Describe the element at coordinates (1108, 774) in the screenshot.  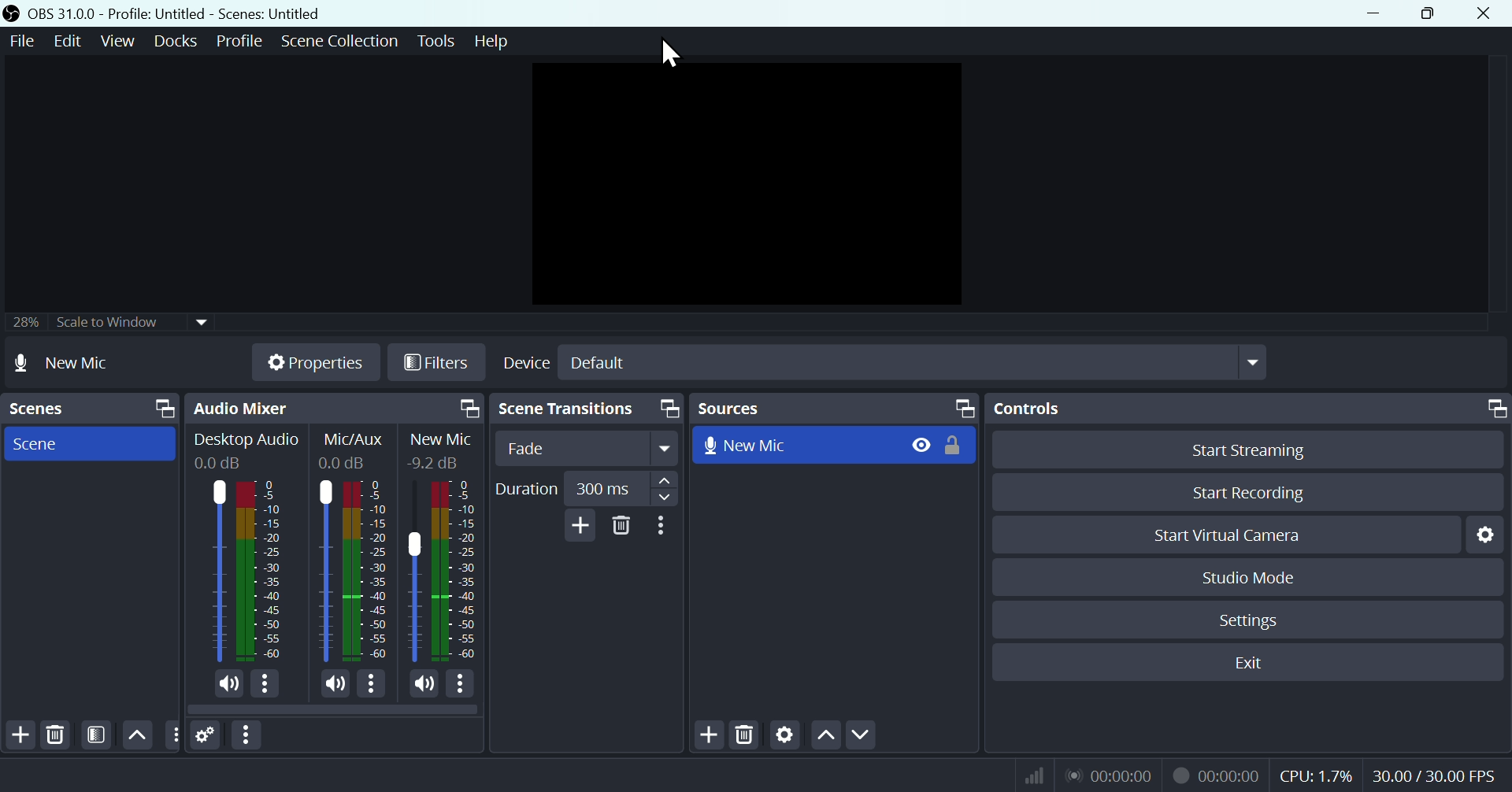
I see `Live Status` at that location.